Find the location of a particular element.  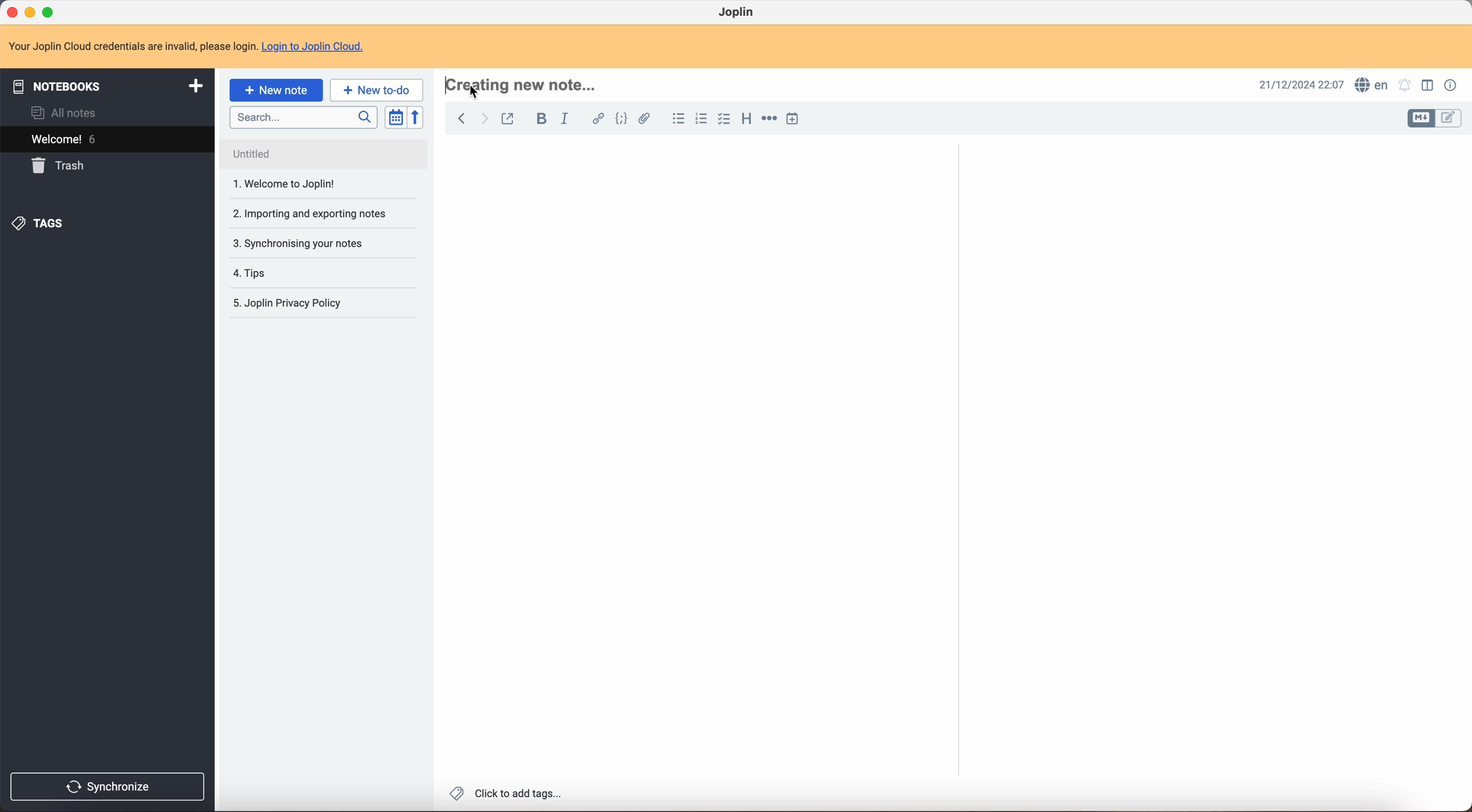

spell checker is located at coordinates (1373, 84).